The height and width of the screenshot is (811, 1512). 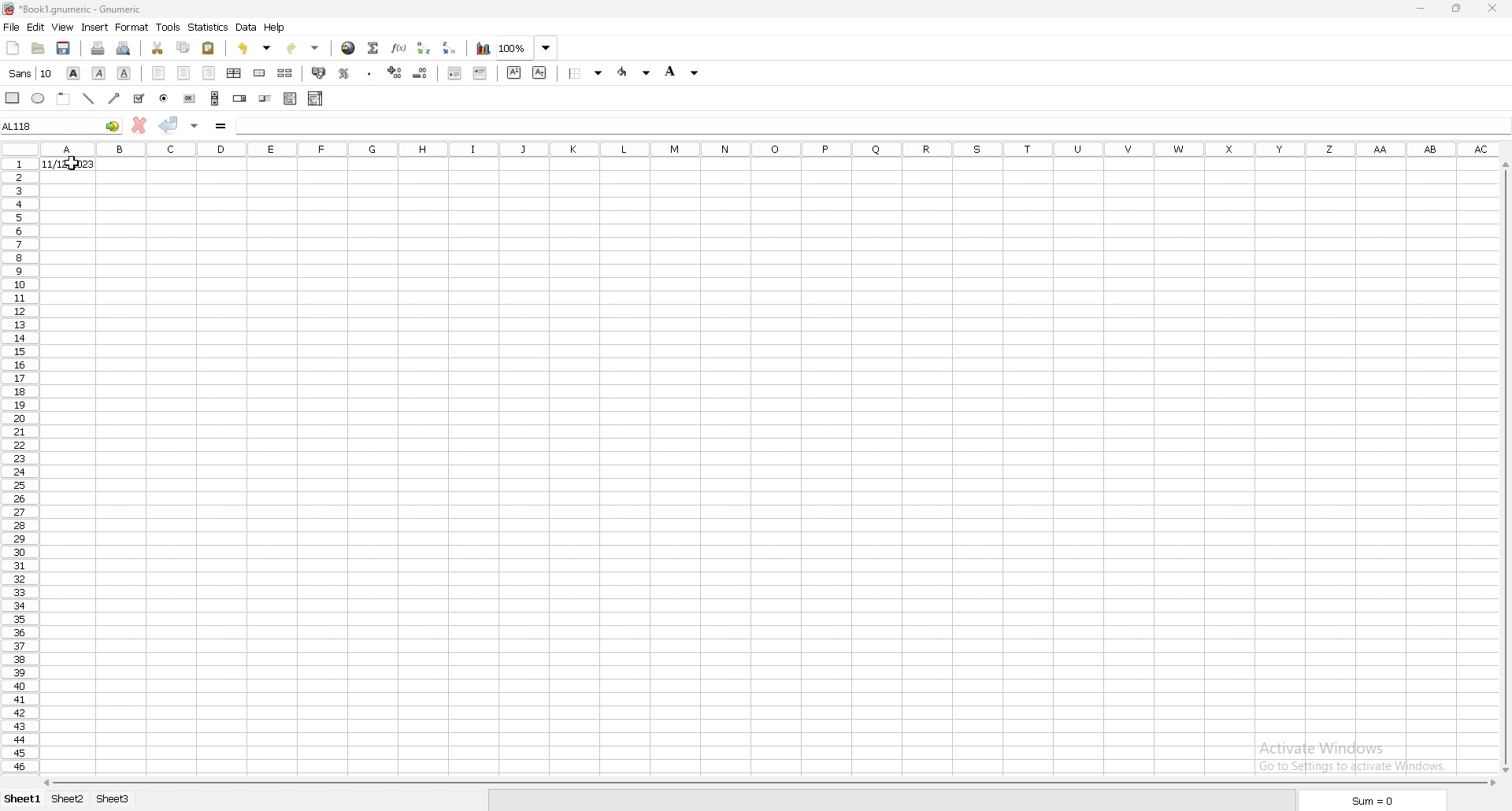 What do you see at coordinates (157, 48) in the screenshot?
I see `cut` at bounding box center [157, 48].